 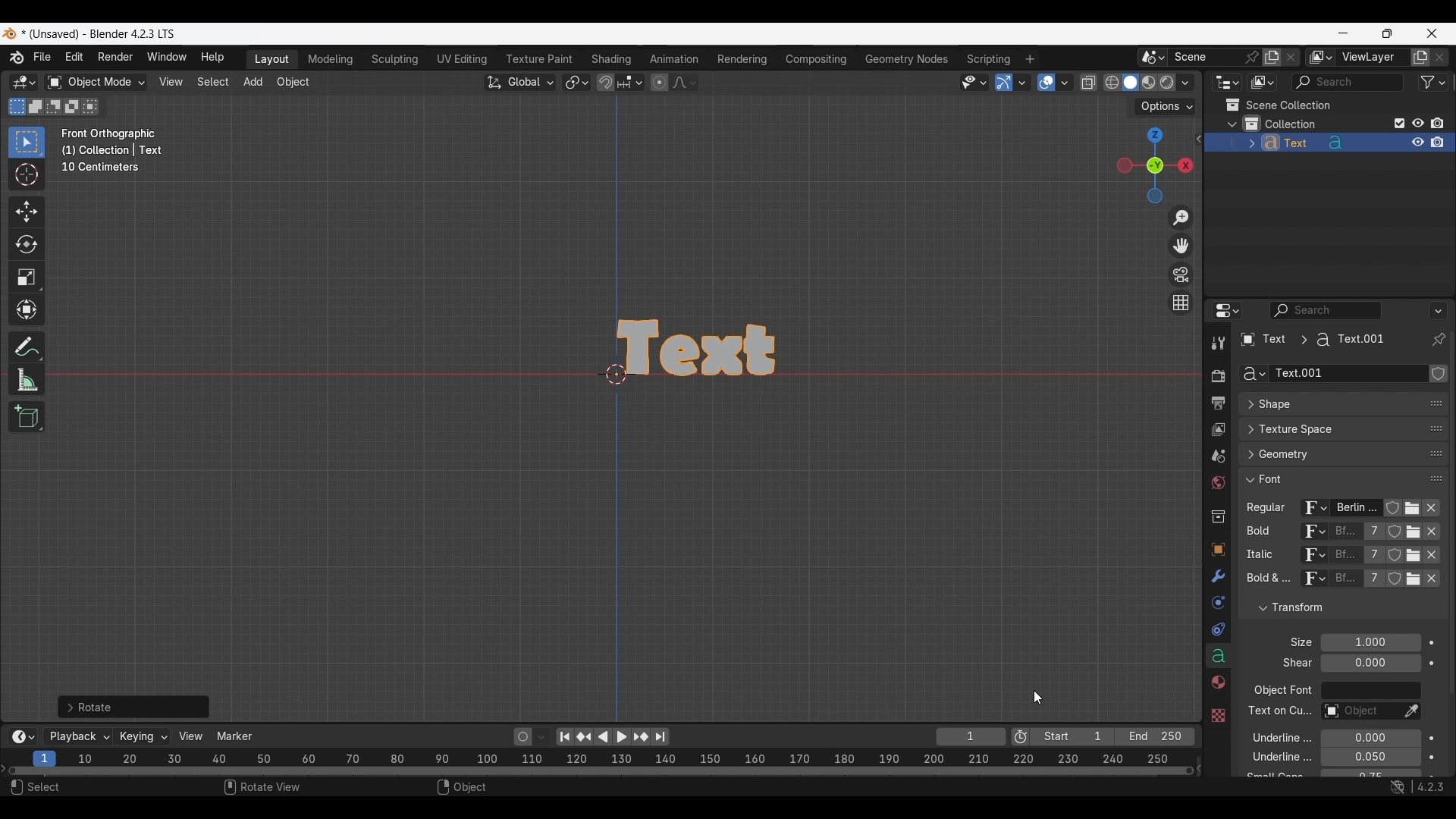 What do you see at coordinates (1262, 83) in the screenshot?
I see `Display mode` at bounding box center [1262, 83].